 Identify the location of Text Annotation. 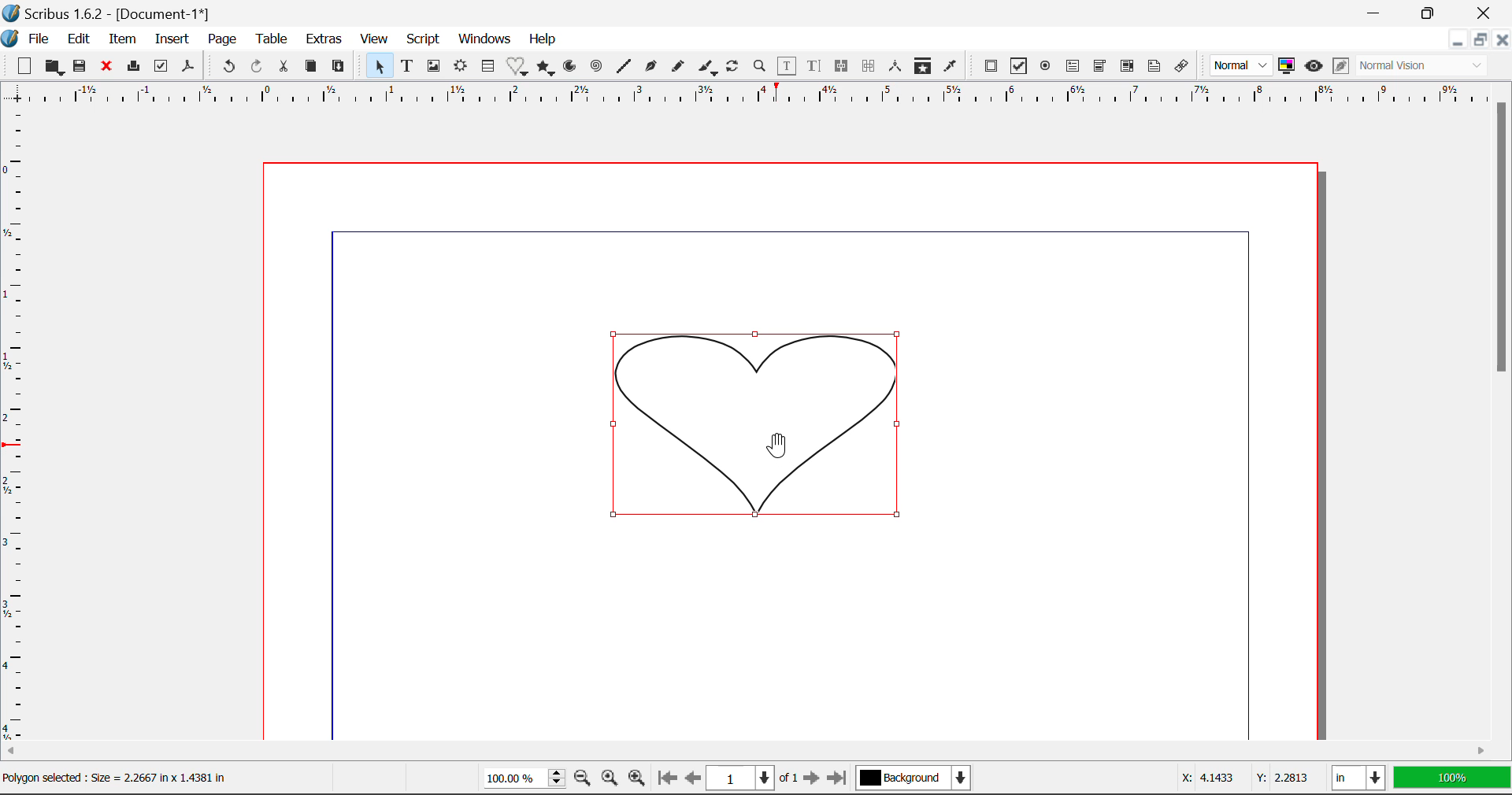
(1153, 67).